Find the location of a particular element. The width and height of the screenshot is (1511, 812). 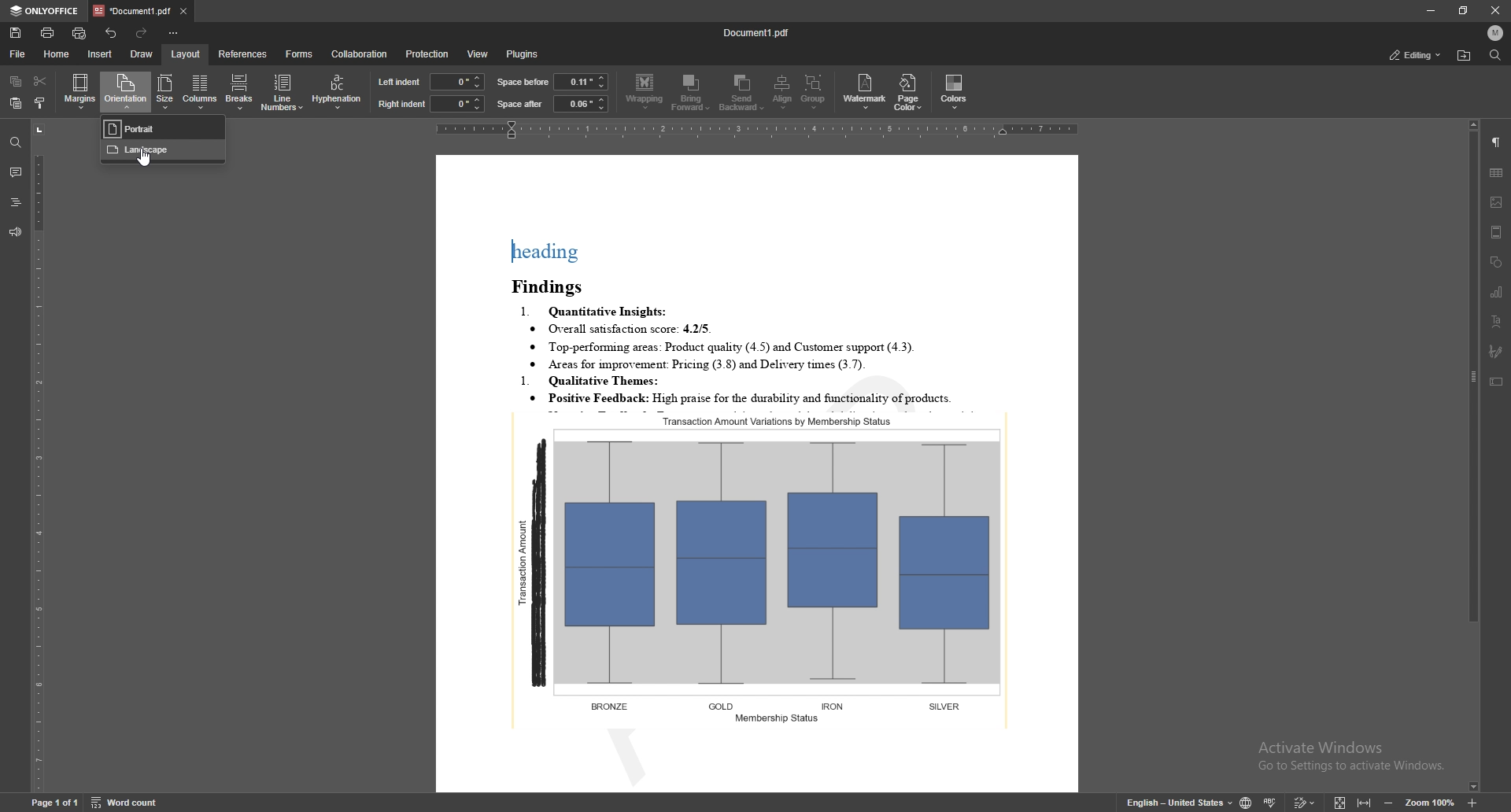

orientation is located at coordinates (125, 90).